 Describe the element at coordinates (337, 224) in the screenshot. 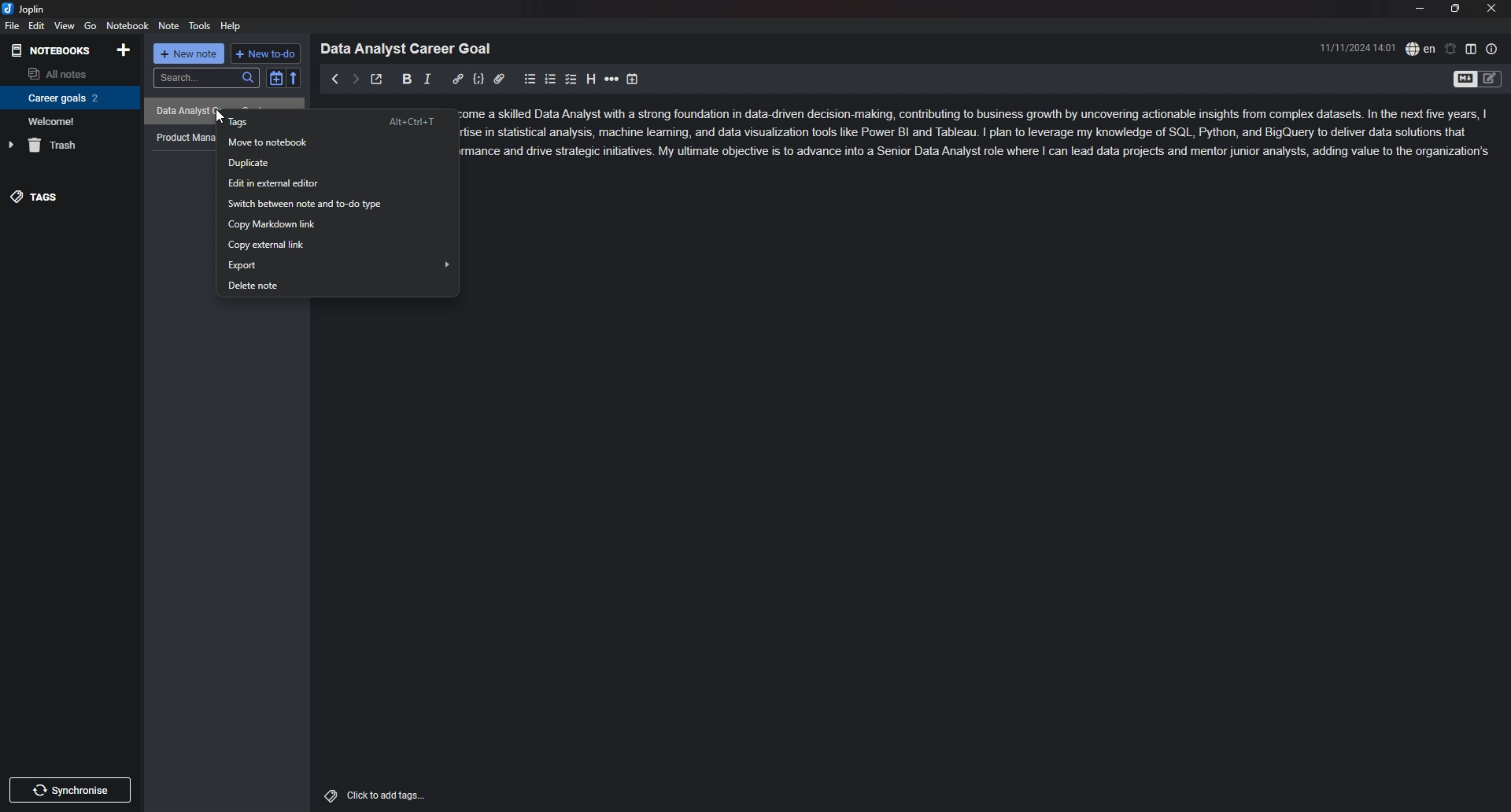

I see `copy markdown link` at that location.